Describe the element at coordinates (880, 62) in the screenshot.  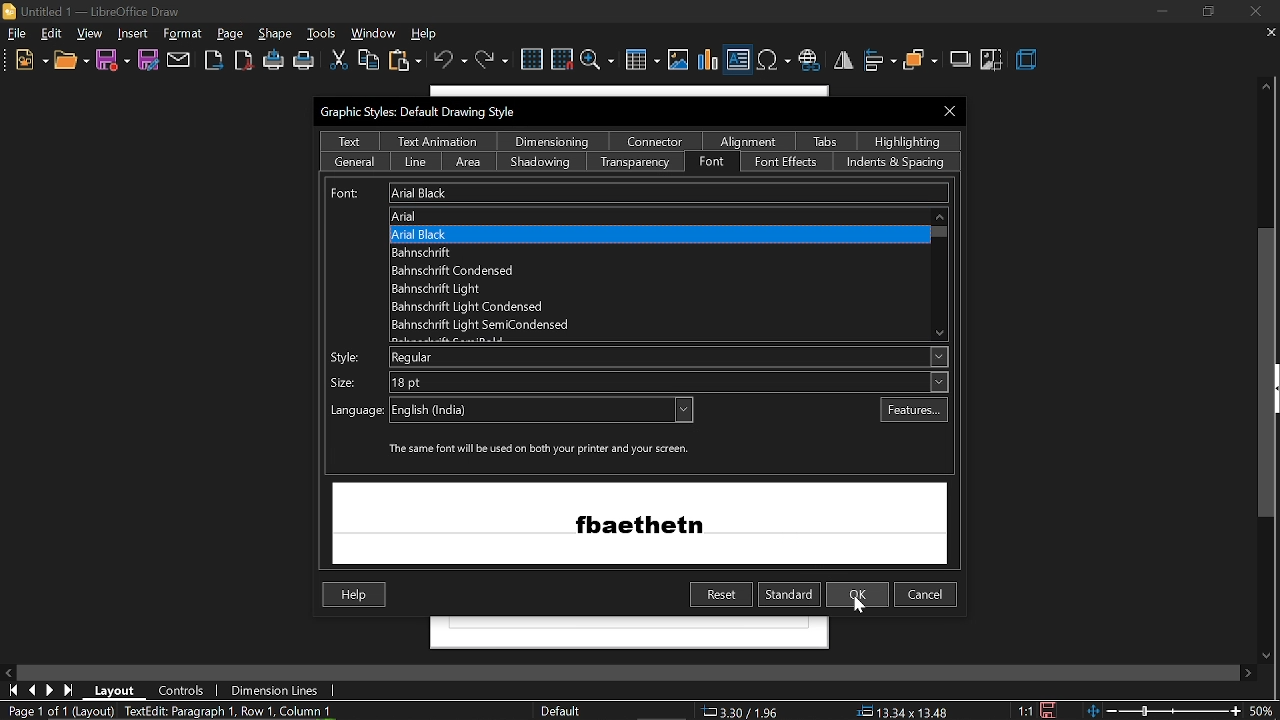
I see `align` at that location.